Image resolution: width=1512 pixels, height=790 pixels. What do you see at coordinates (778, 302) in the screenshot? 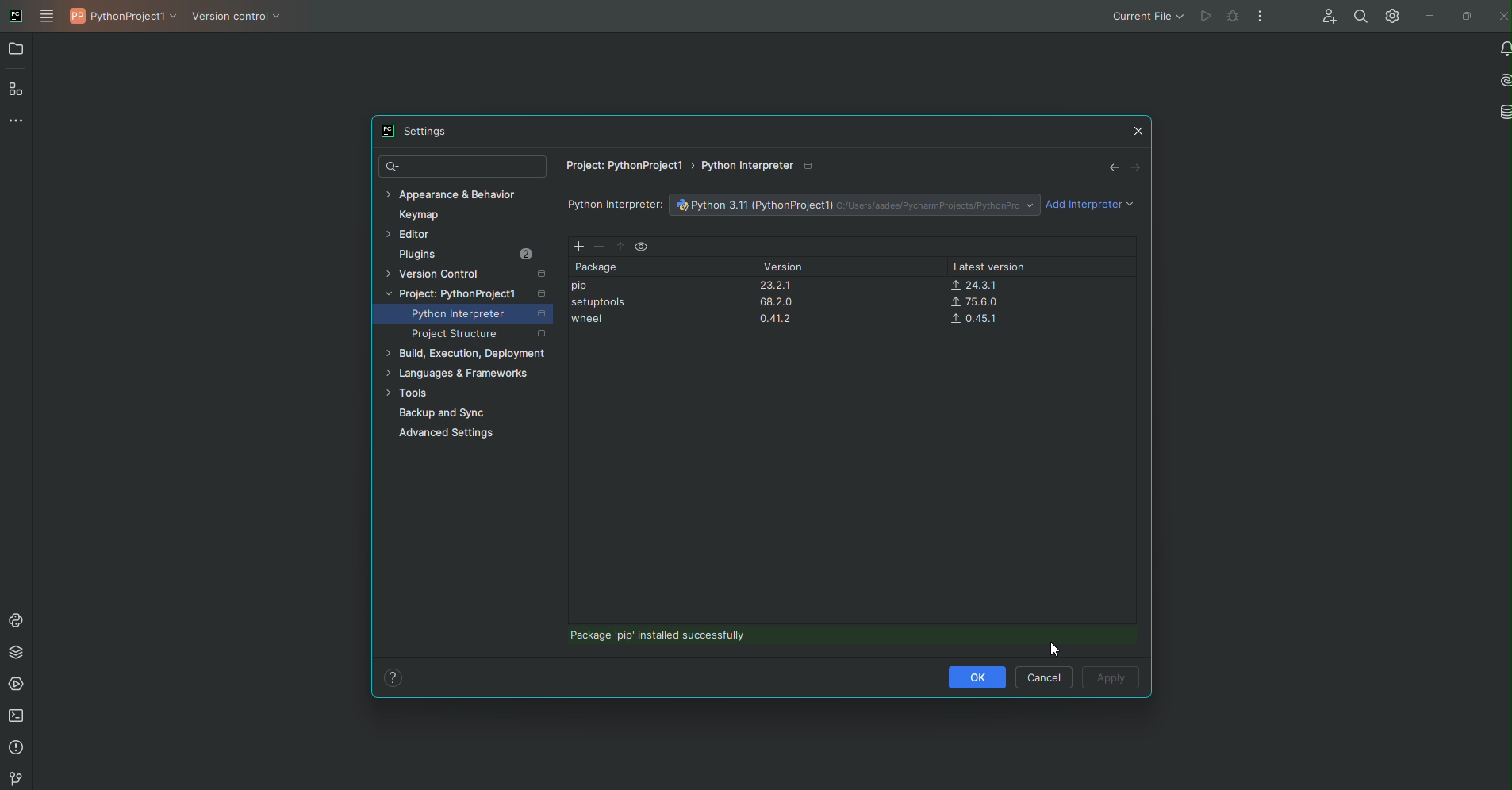
I see `68.2.0` at bounding box center [778, 302].